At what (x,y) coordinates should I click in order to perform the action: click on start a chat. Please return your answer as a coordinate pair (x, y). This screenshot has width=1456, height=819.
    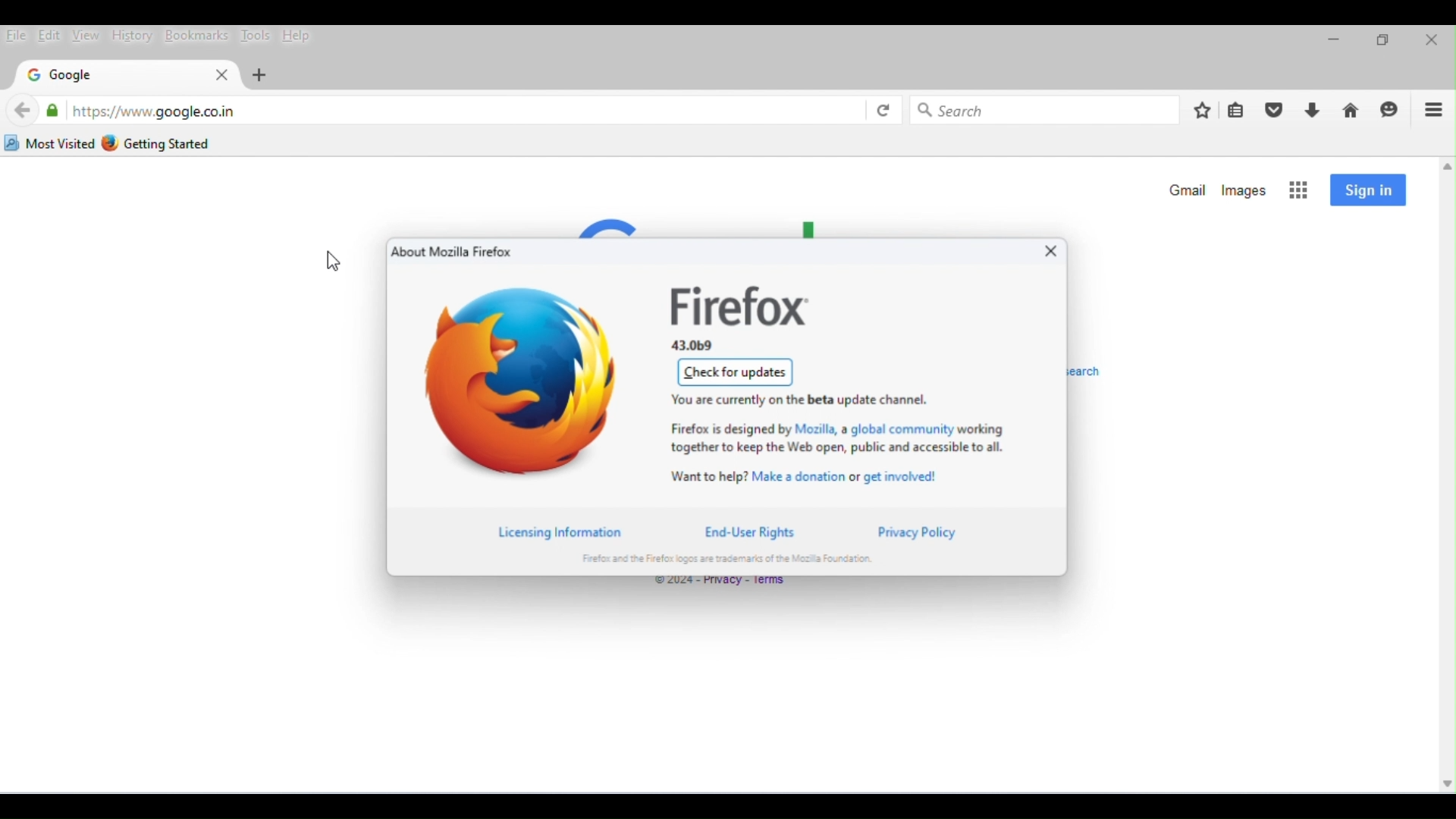
    Looking at the image, I should click on (1392, 110).